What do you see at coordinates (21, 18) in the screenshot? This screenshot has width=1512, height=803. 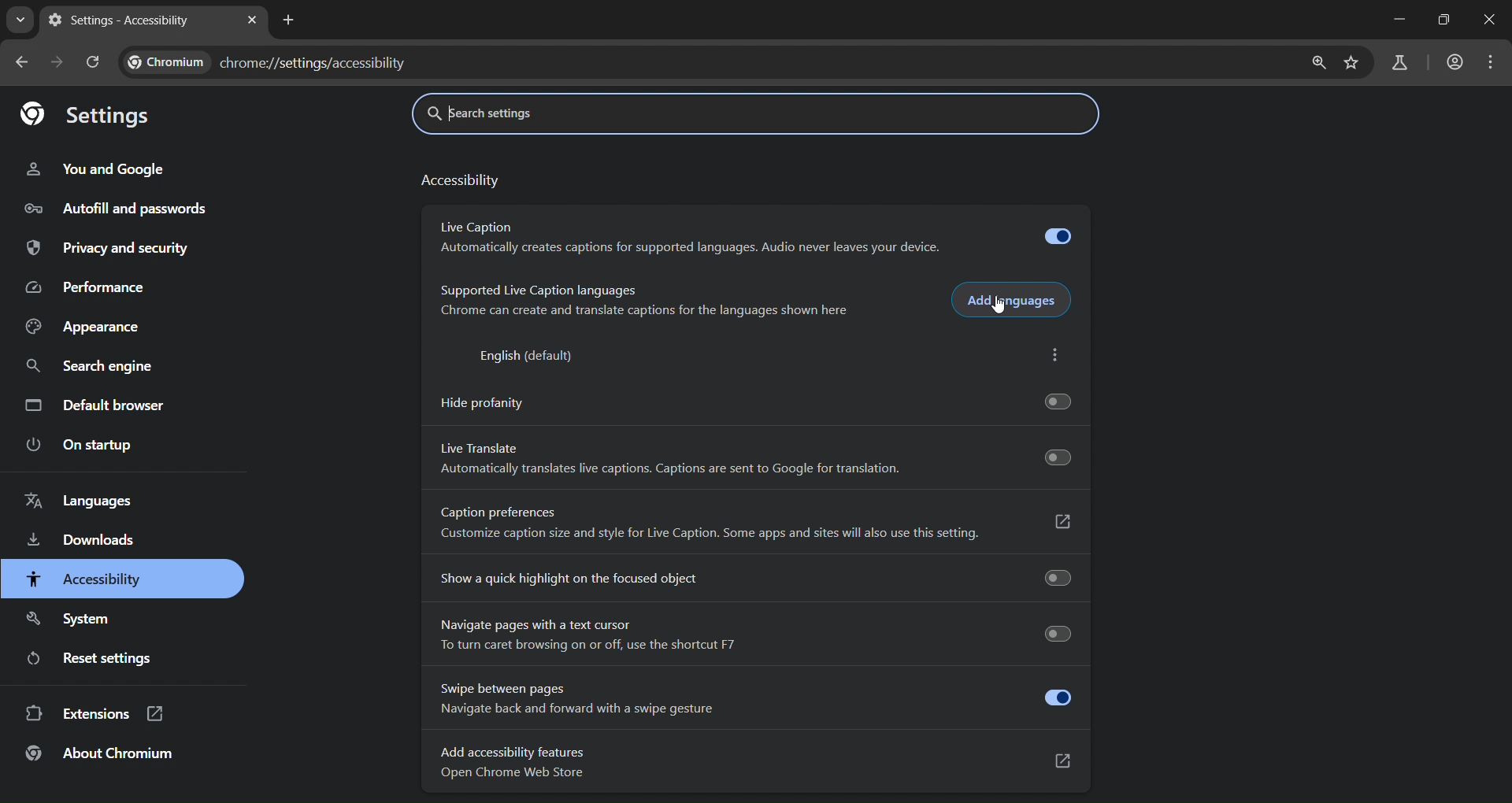 I see `search tabs` at bounding box center [21, 18].